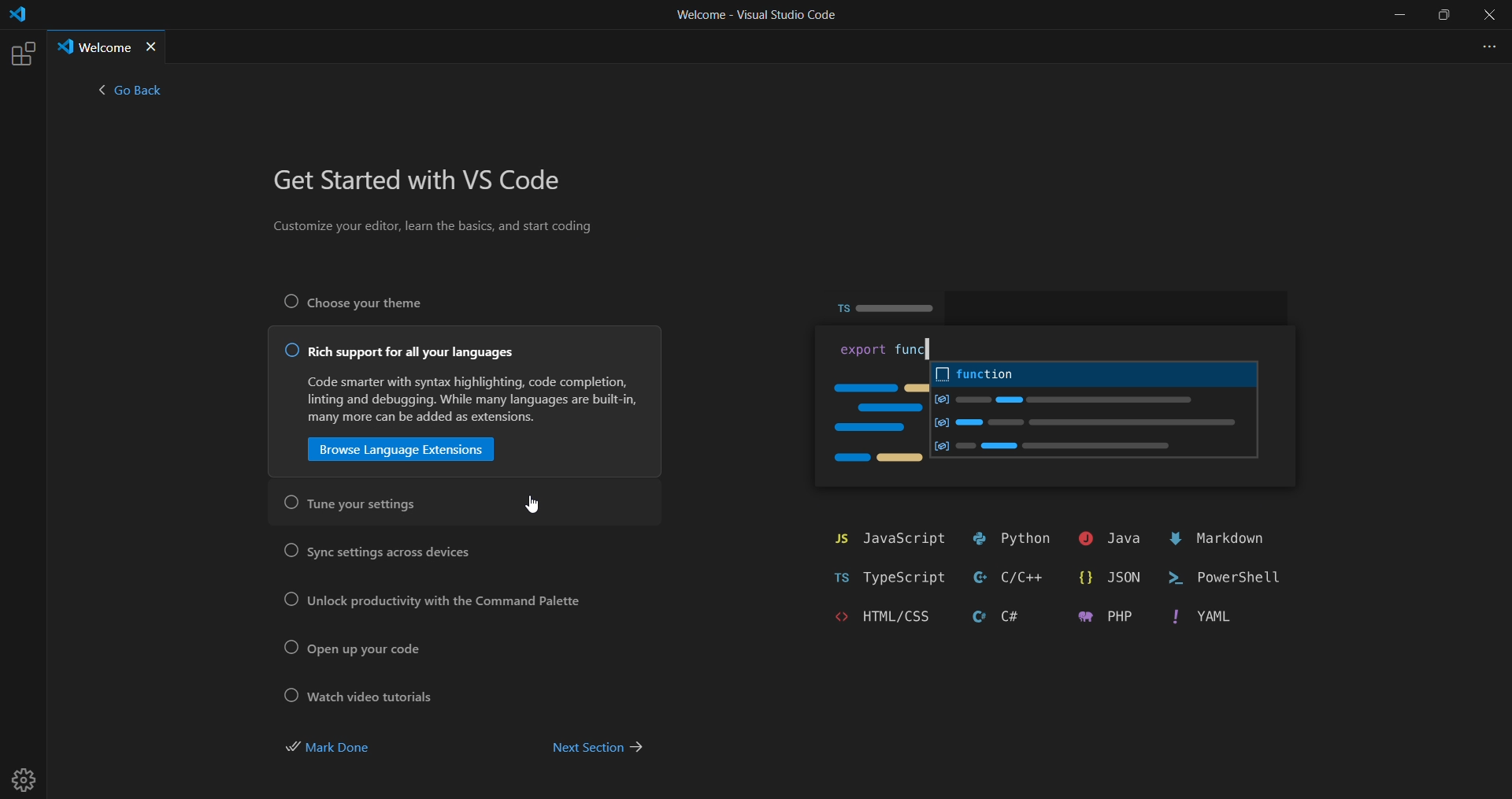  Describe the element at coordinates (130, 94) in the screenshot. I see `< go back` at that location.